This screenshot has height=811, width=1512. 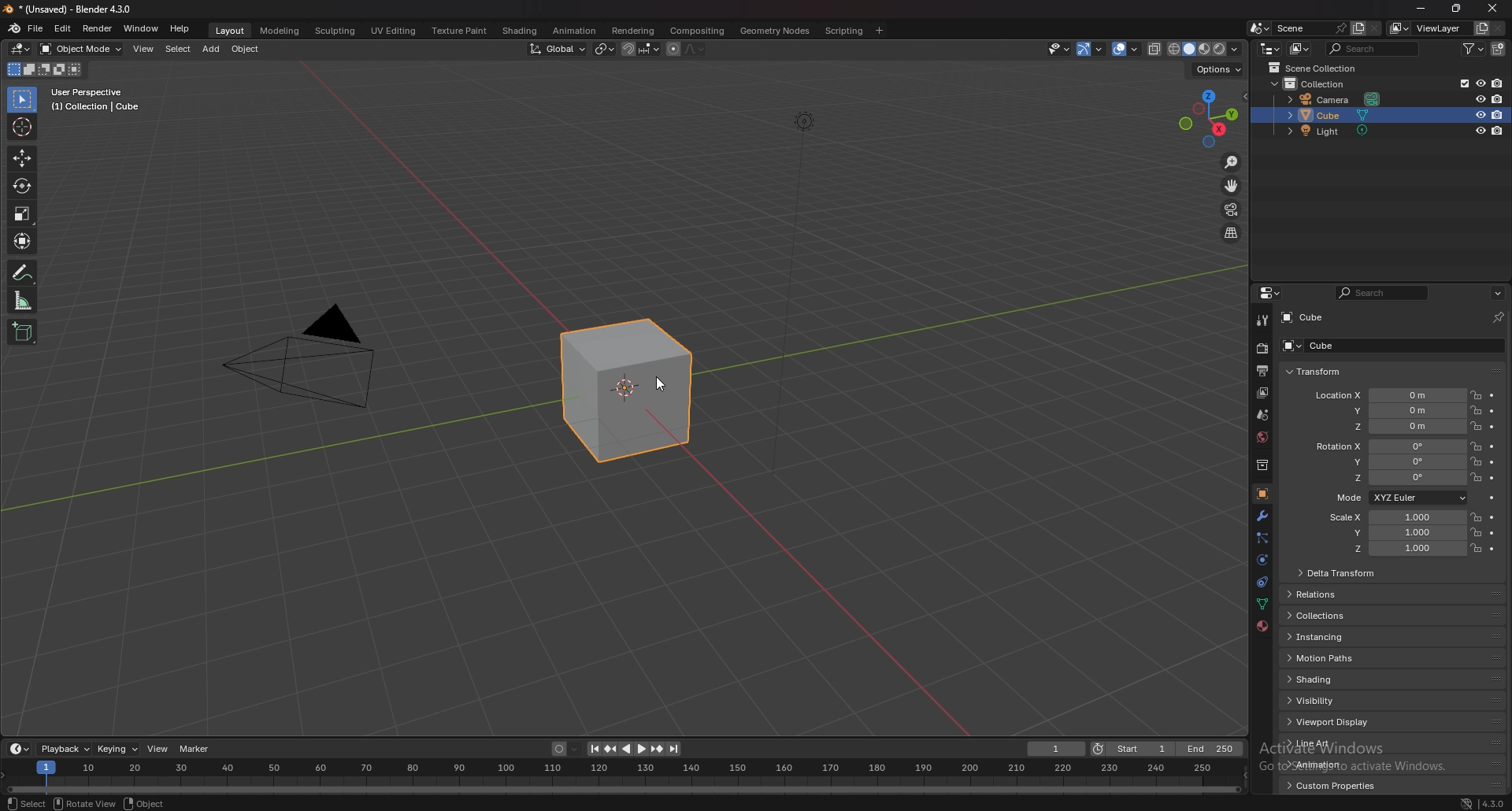 I want to click on scene collection, so click(x=1320, y=67).